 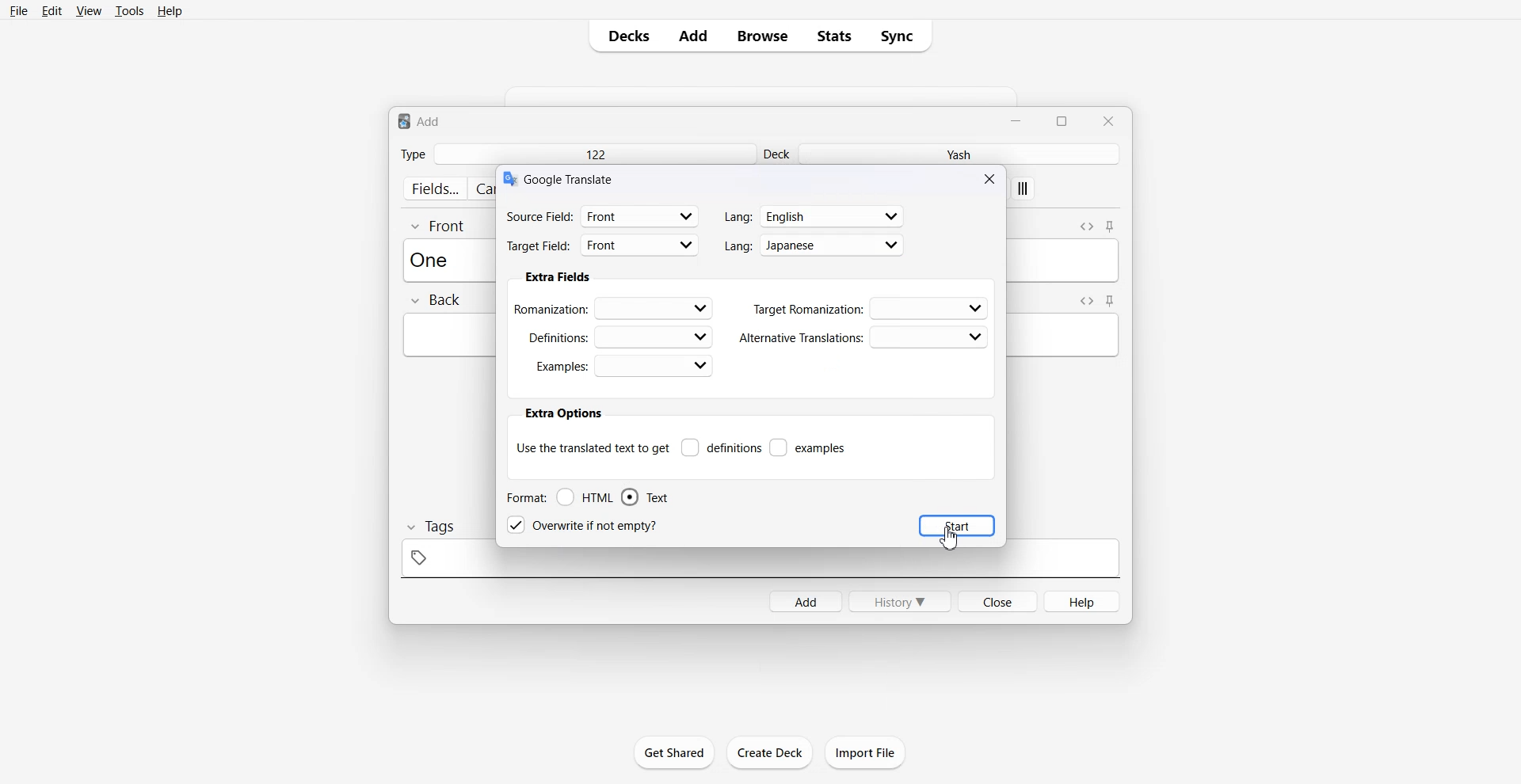 What do you see at coordinates (87, 10) in the screenshot?
I see `View` at bounding box center [87, 10].